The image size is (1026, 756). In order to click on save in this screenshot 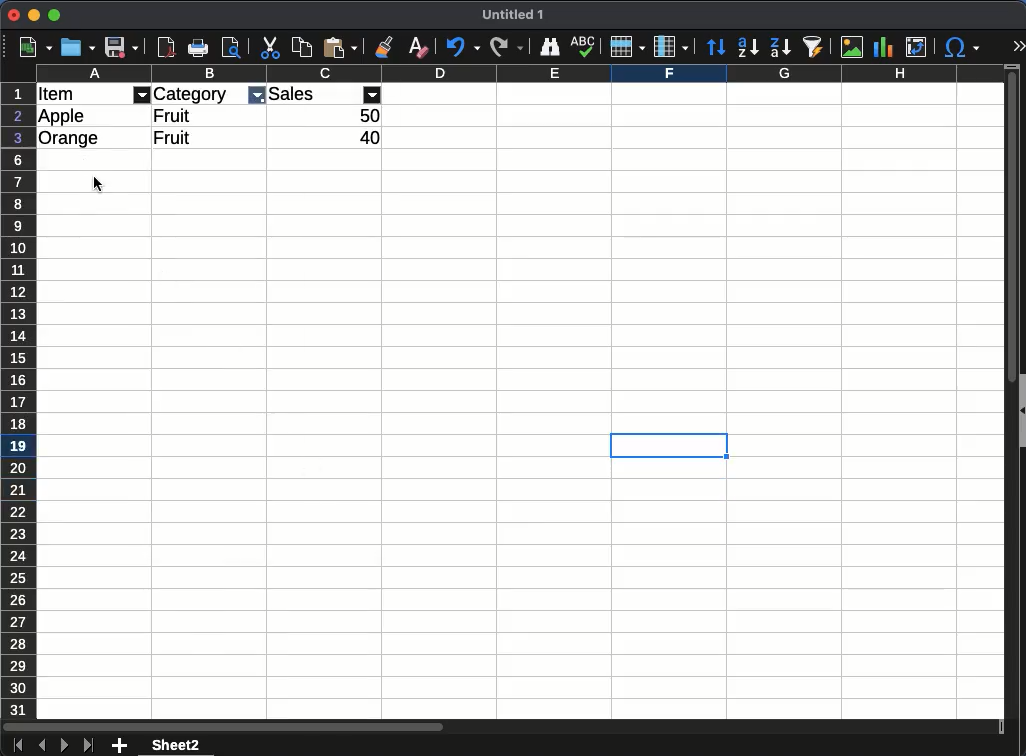, I will do `click(123, 47)`.